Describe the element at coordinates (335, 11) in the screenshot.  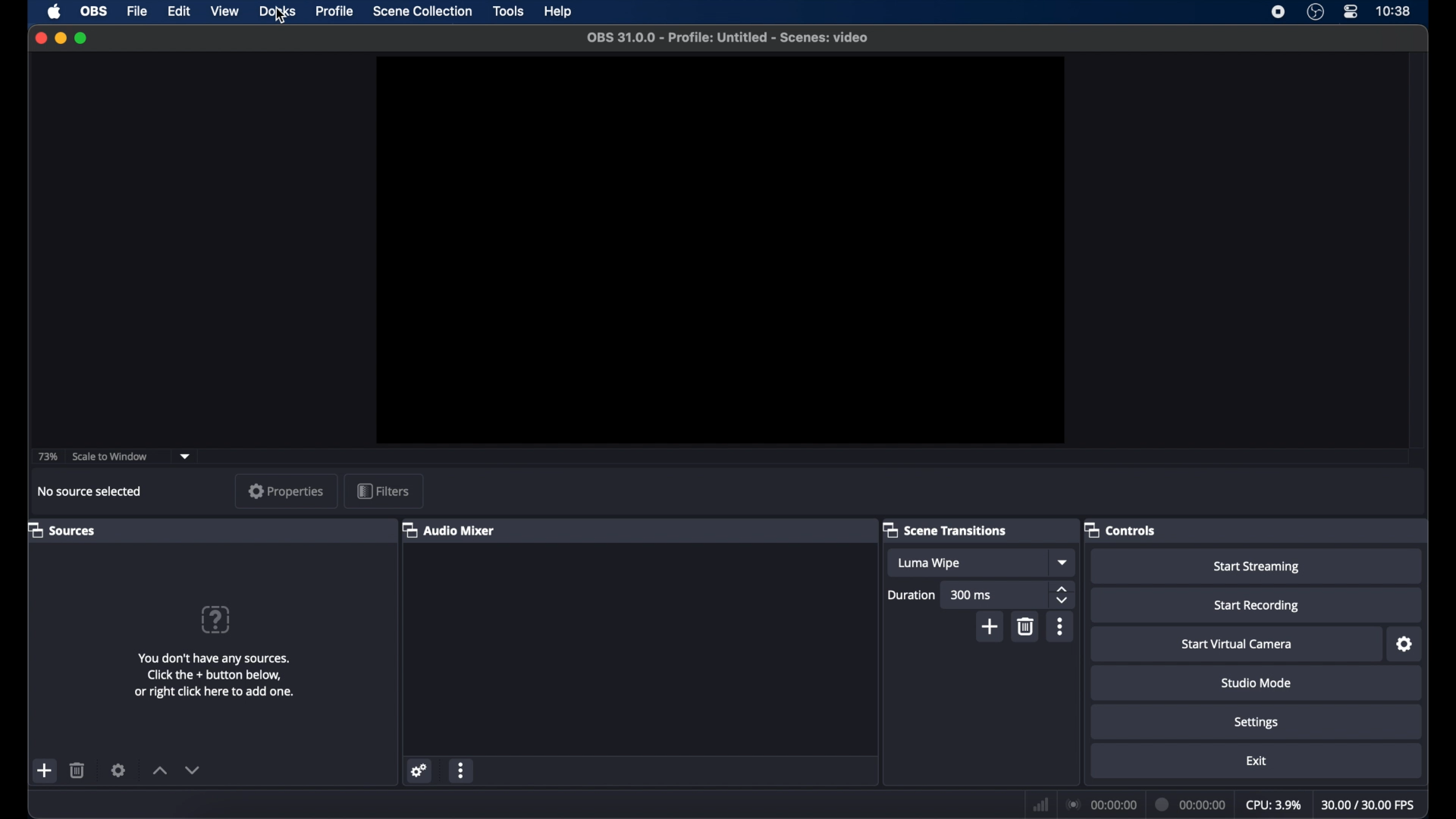
I see `profile` at that location.